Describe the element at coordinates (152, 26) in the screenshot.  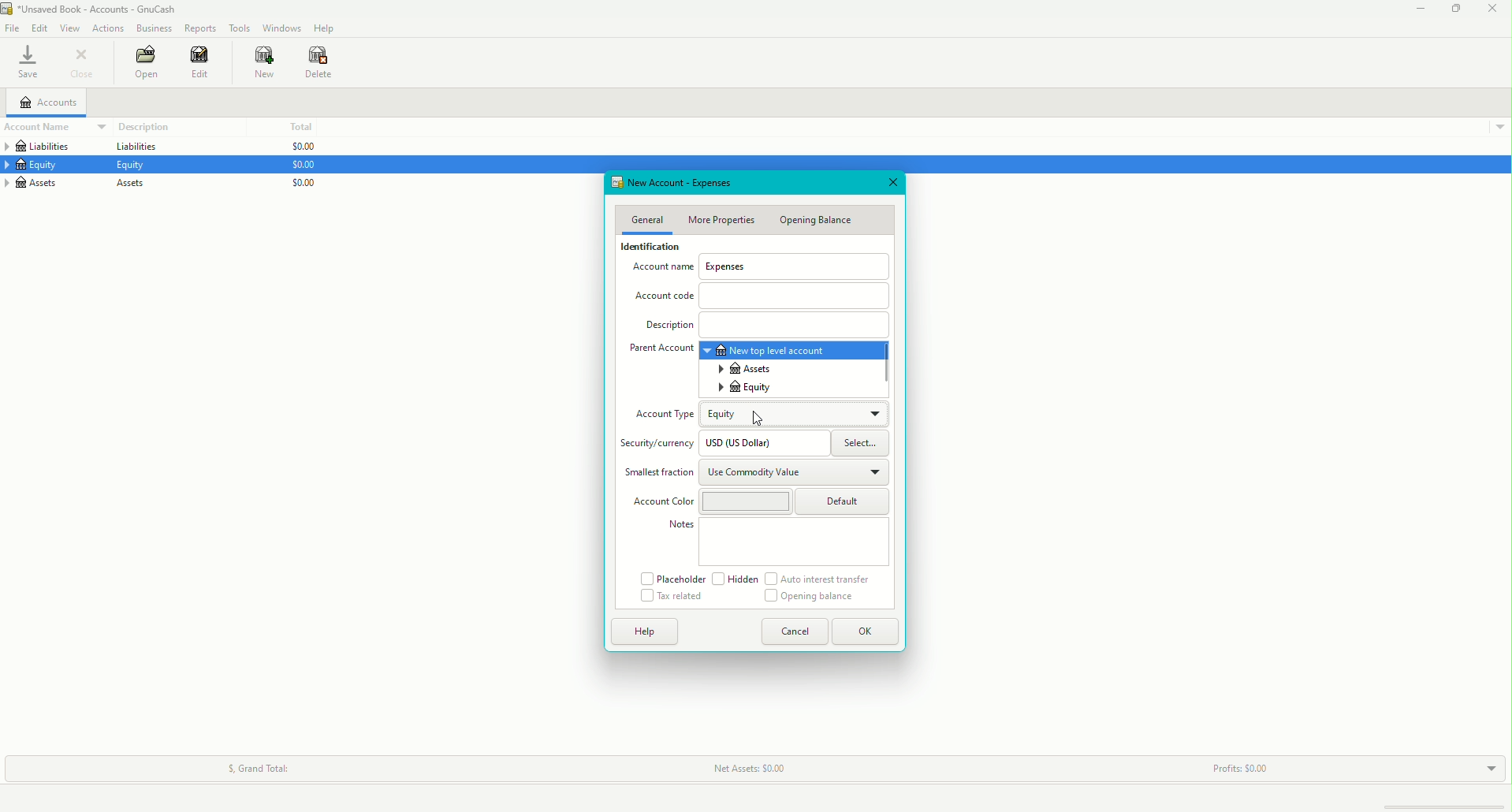
I see `Business` at that location.